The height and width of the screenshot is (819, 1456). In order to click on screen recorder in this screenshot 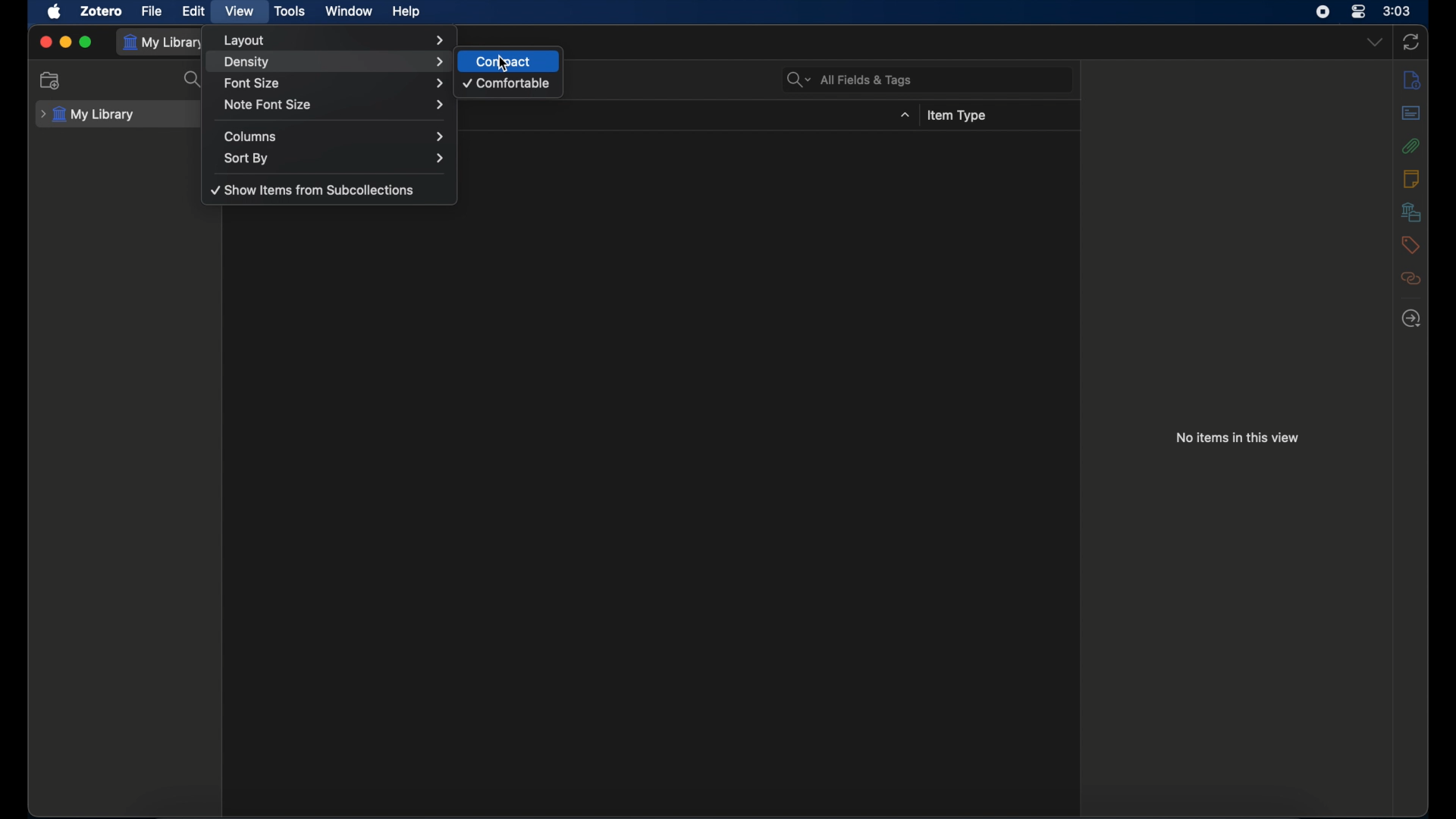, I will do `click(1323, 12)`.